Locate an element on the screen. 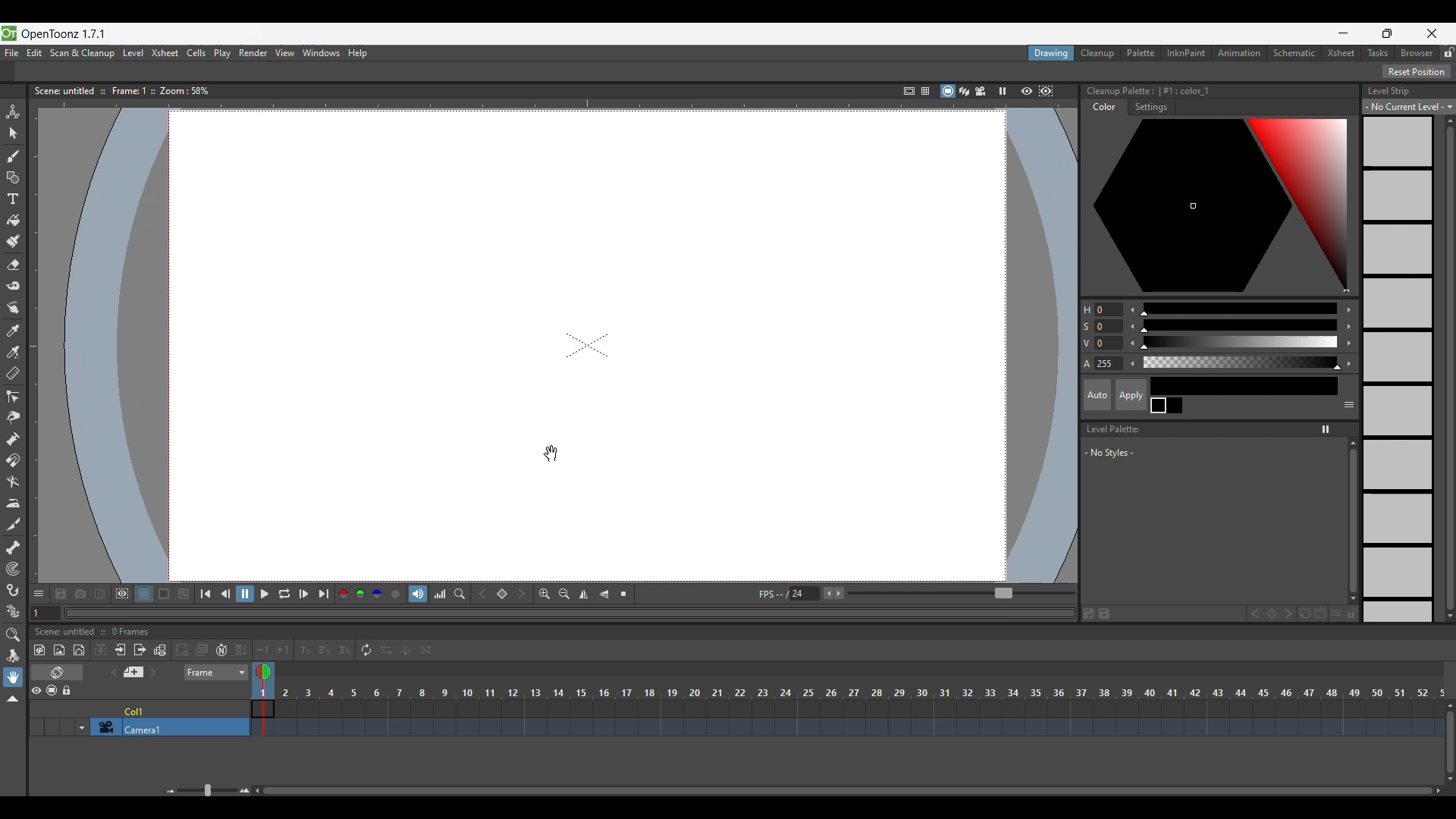 The width and height of the screenshot is (1456, 819). Buttons to increase/decrease frames per second is located at coordinates (834, 593).